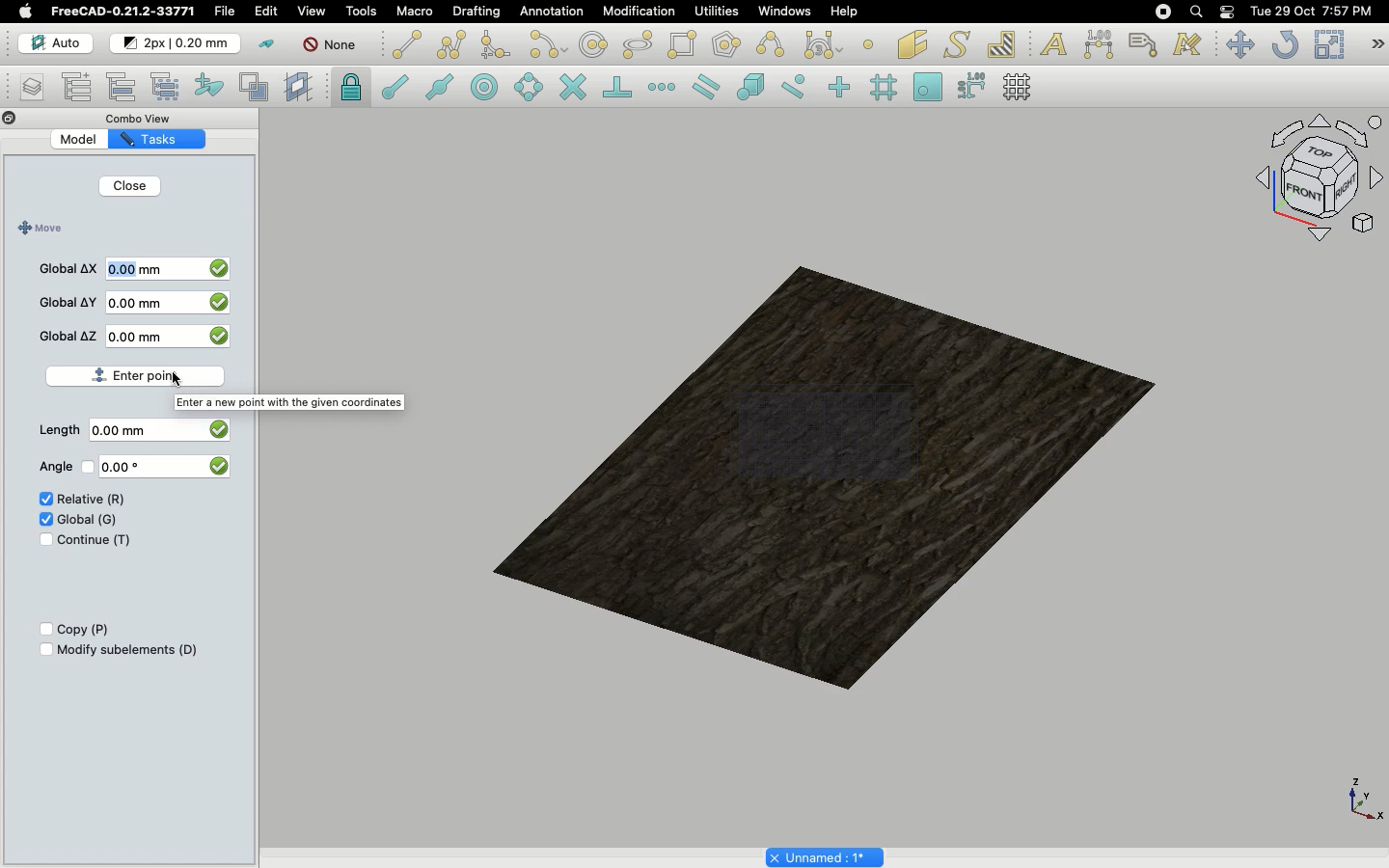  I want to click on Navigation styles, so click(1318, 181).